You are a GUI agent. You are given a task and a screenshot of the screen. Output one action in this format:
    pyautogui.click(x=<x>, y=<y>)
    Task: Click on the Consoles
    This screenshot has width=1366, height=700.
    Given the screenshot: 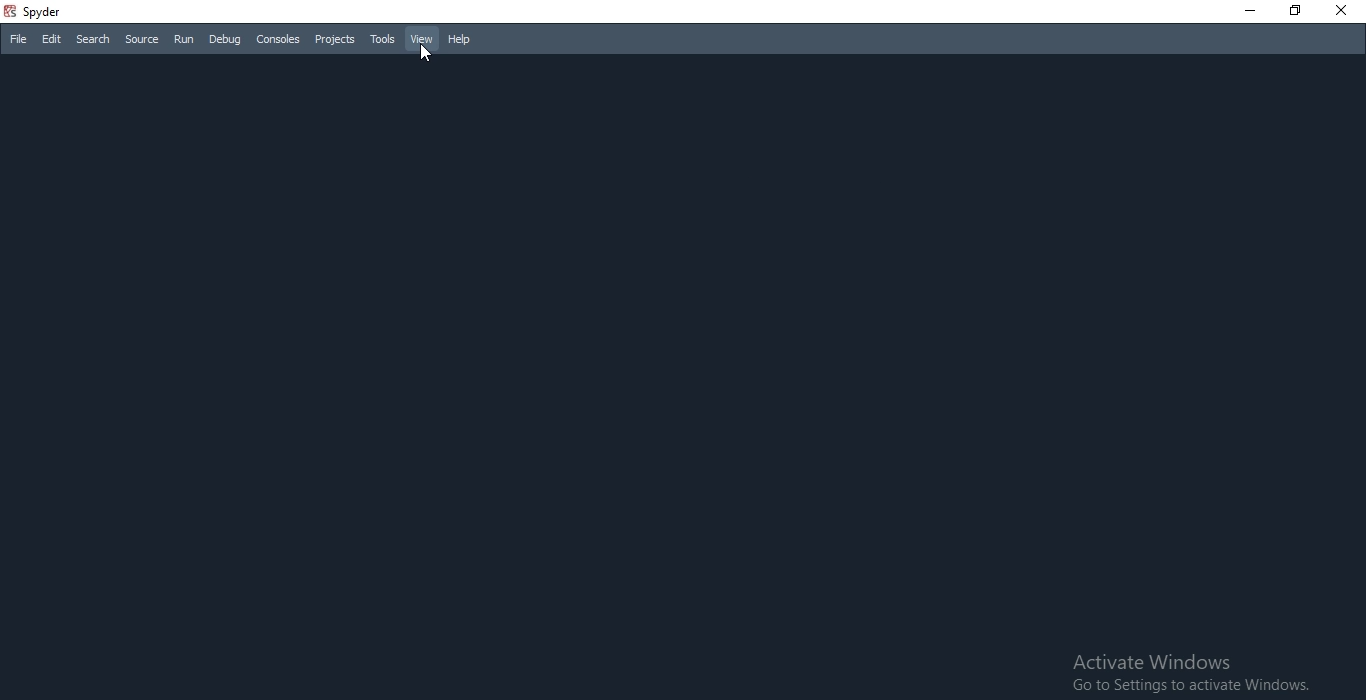 What is the action you would take?
    pyautogui.click(x=280, y=40)
    